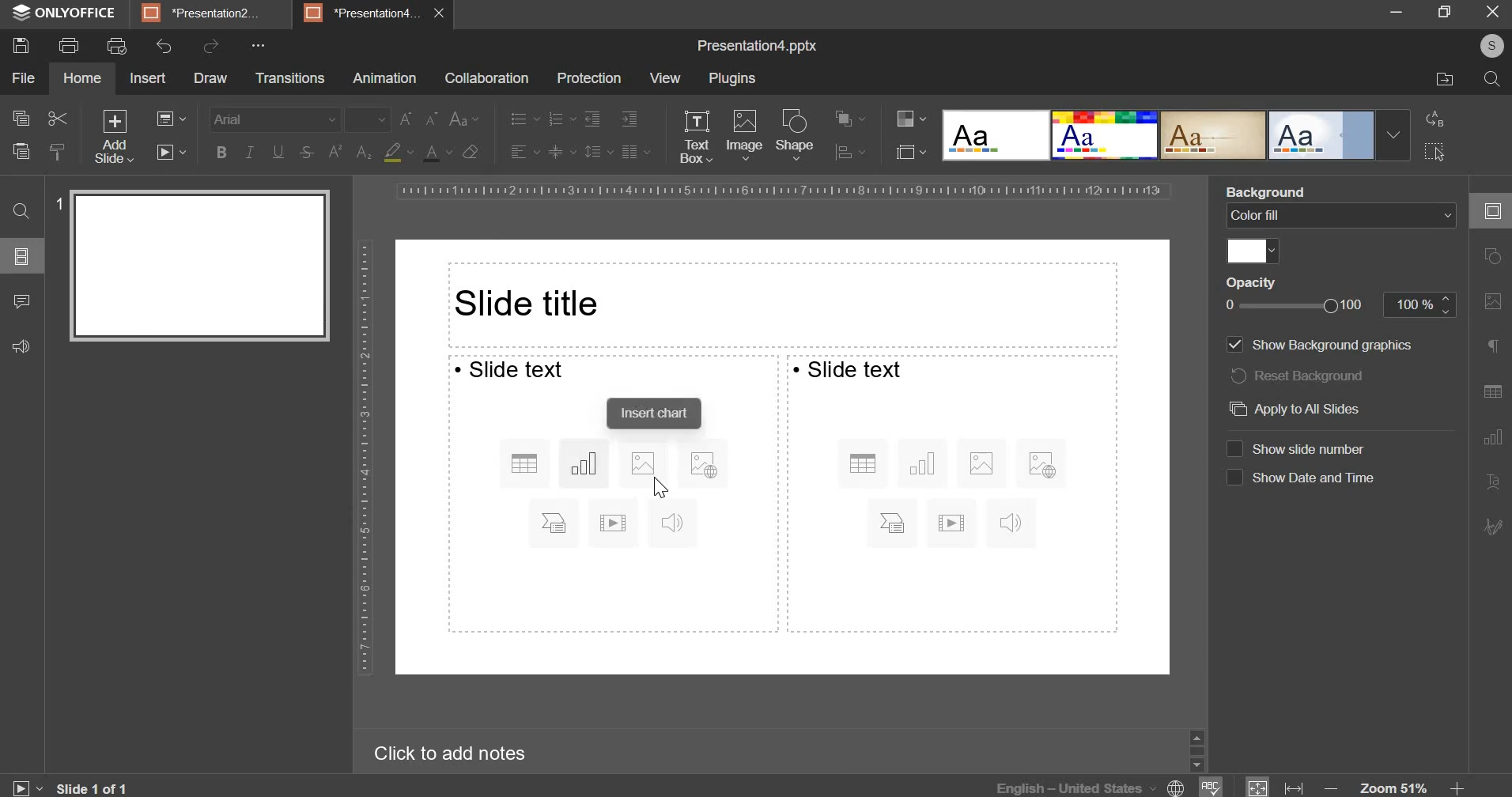  What do you see at coordinates (592, 151) in the screenshot?
I see `line spacing` at bounding box center [592, 151].